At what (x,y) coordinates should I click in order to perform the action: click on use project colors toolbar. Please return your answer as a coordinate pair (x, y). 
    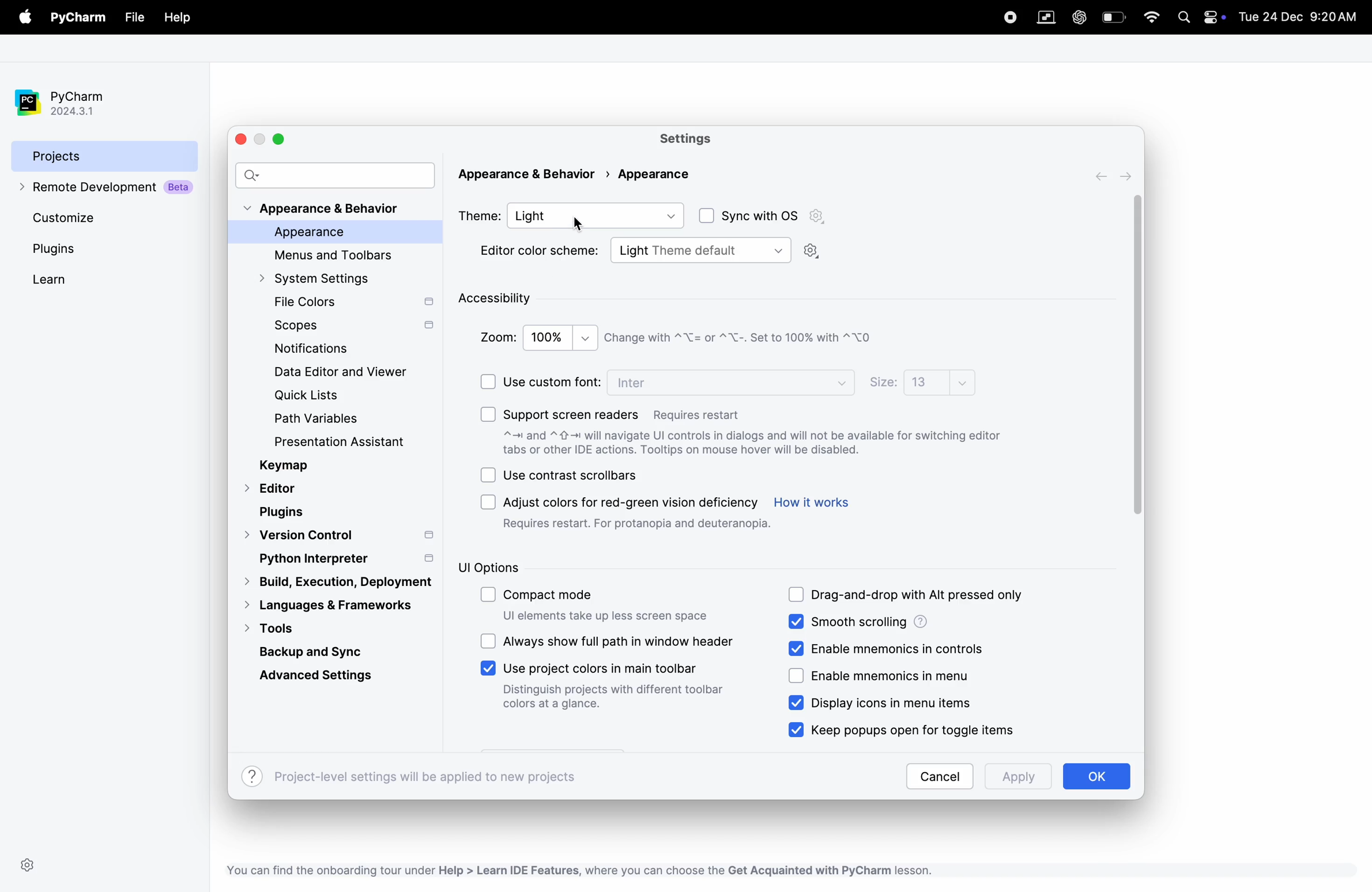
    Looking at the image, I should click on (615, 689).